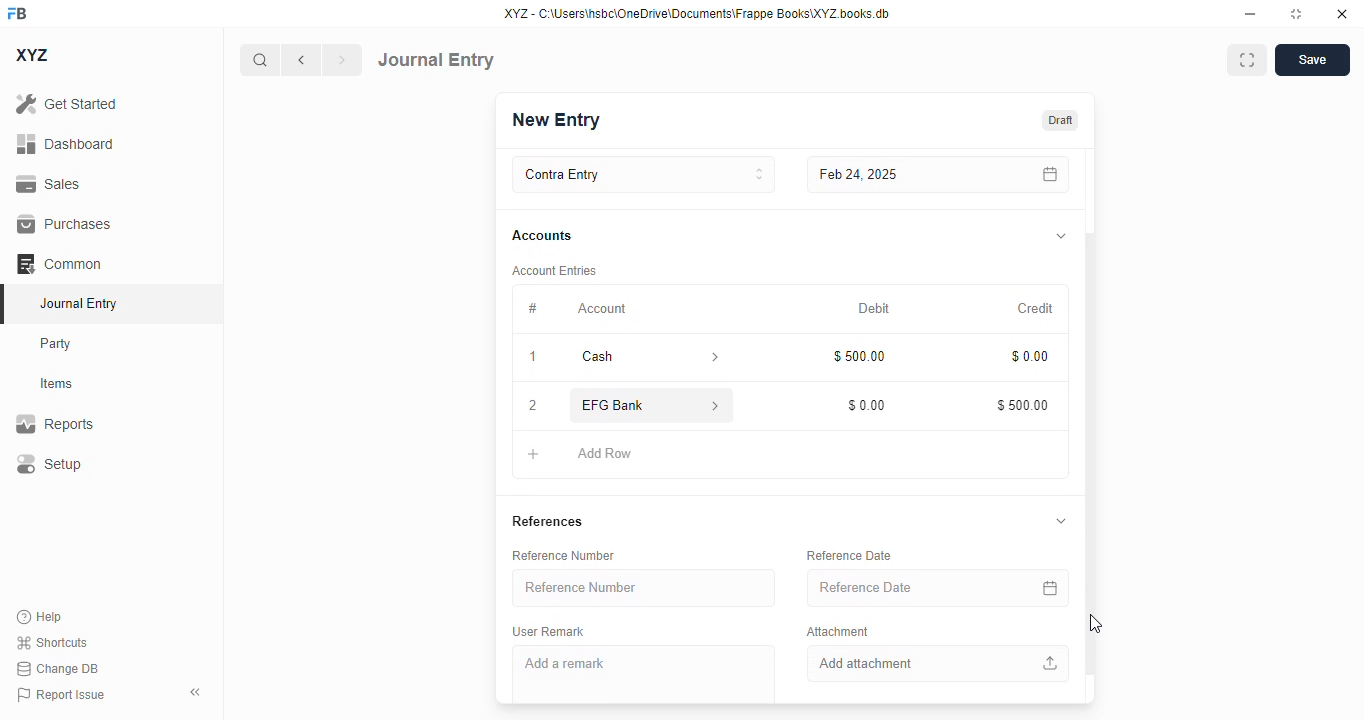 The width and height of the screenshot is (1364, 720). What do you see at coordinates (1061, 237) in the screenshot?
I see `toggle expand/collapse` at bounding box center [1061, 237].